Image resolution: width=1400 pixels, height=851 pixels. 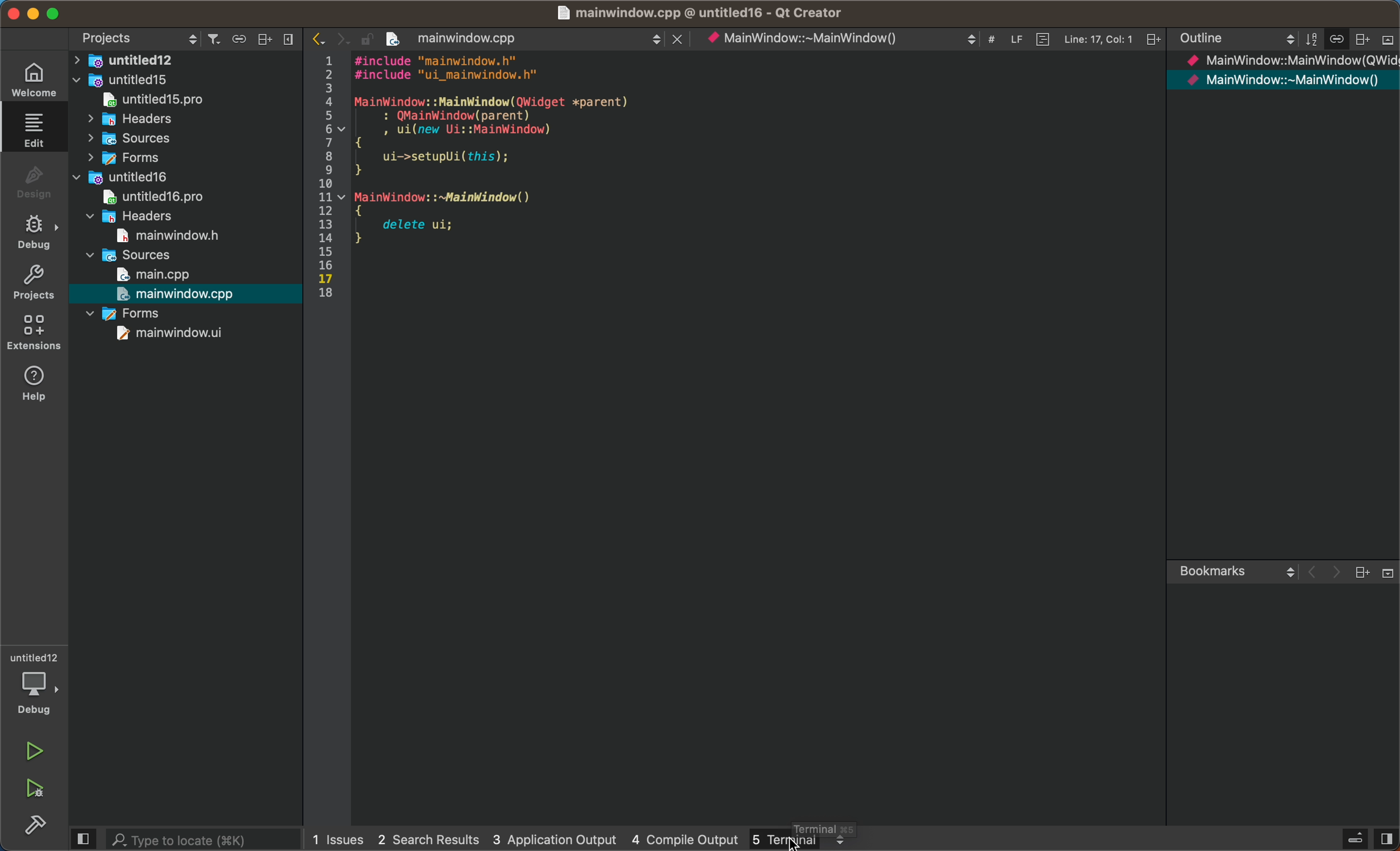 I want to click on debug, so click(x=36, y=231).